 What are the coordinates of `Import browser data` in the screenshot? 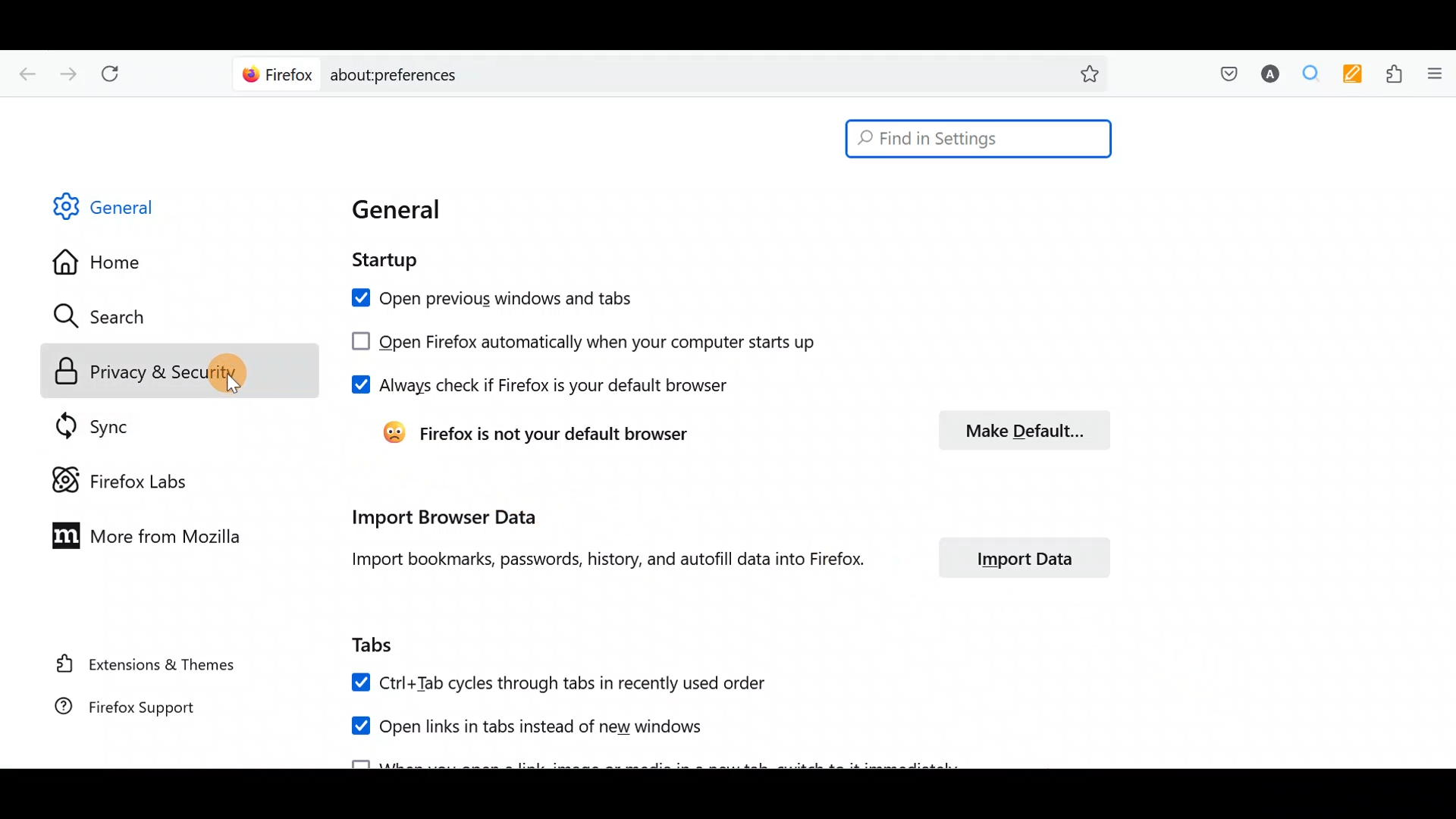 It's located at (453, 516).